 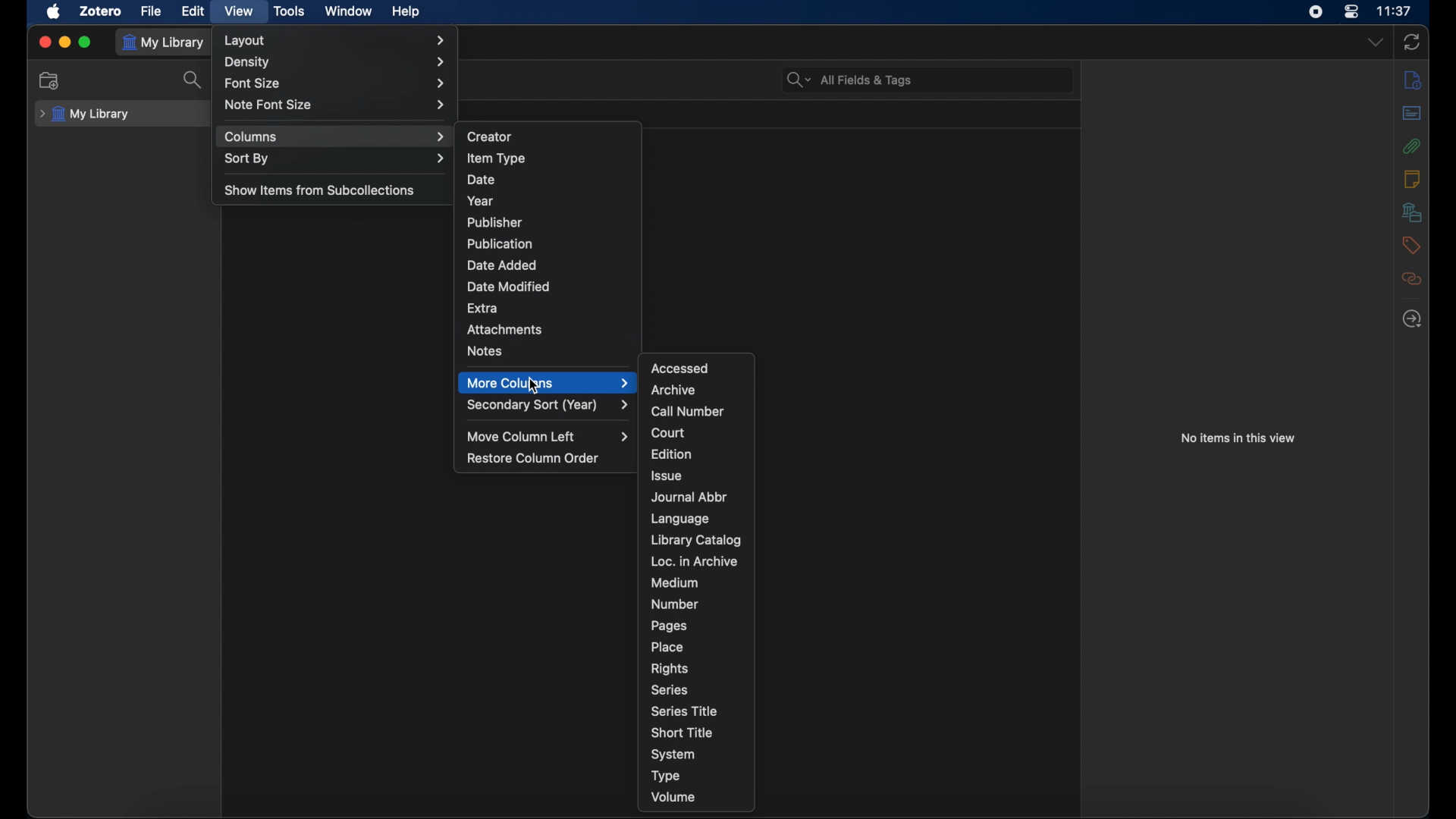 I want to click on language, so click(x=679, y=519).